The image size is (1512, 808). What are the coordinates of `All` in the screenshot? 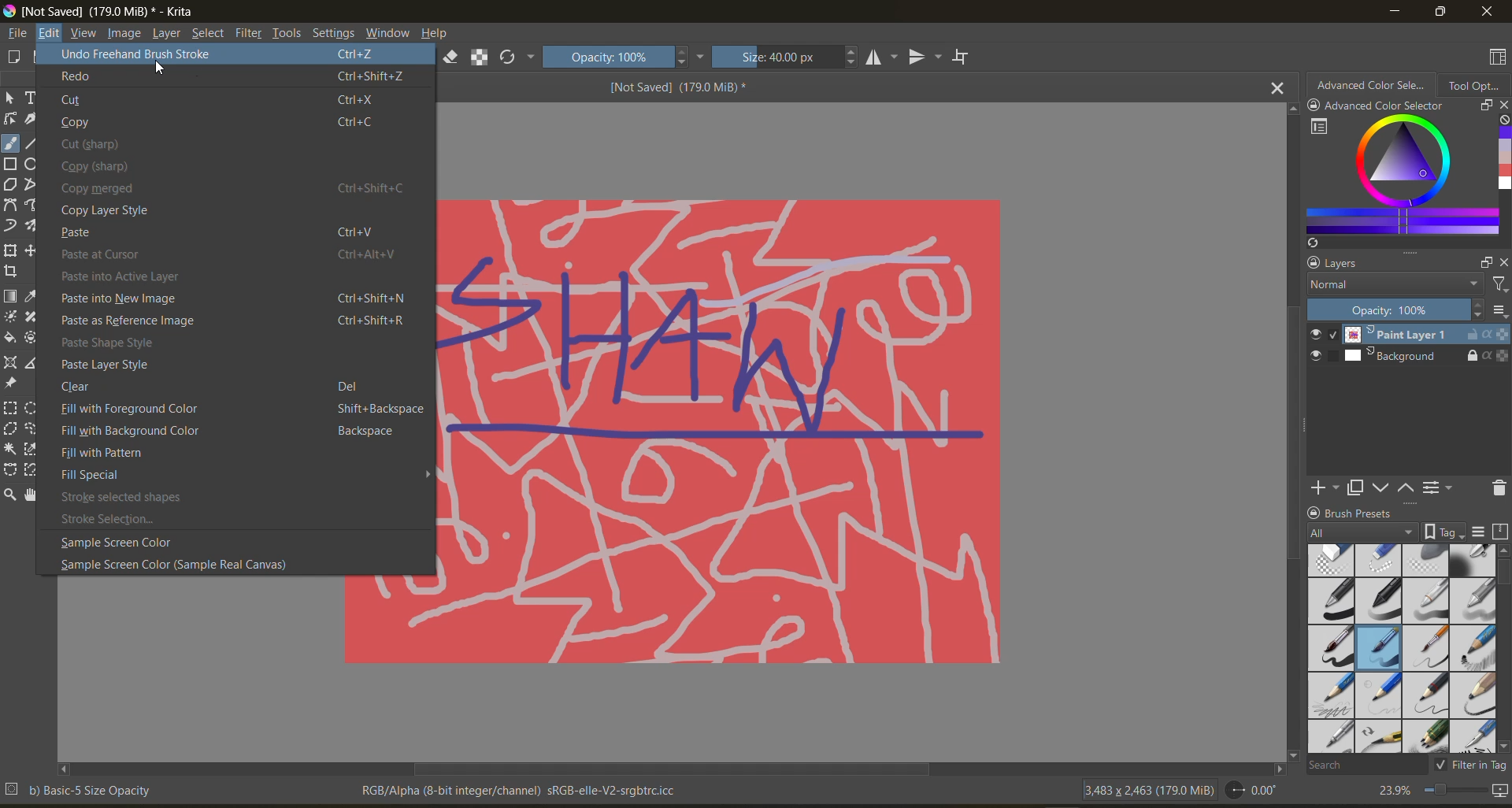 It's located at (1363, 532).